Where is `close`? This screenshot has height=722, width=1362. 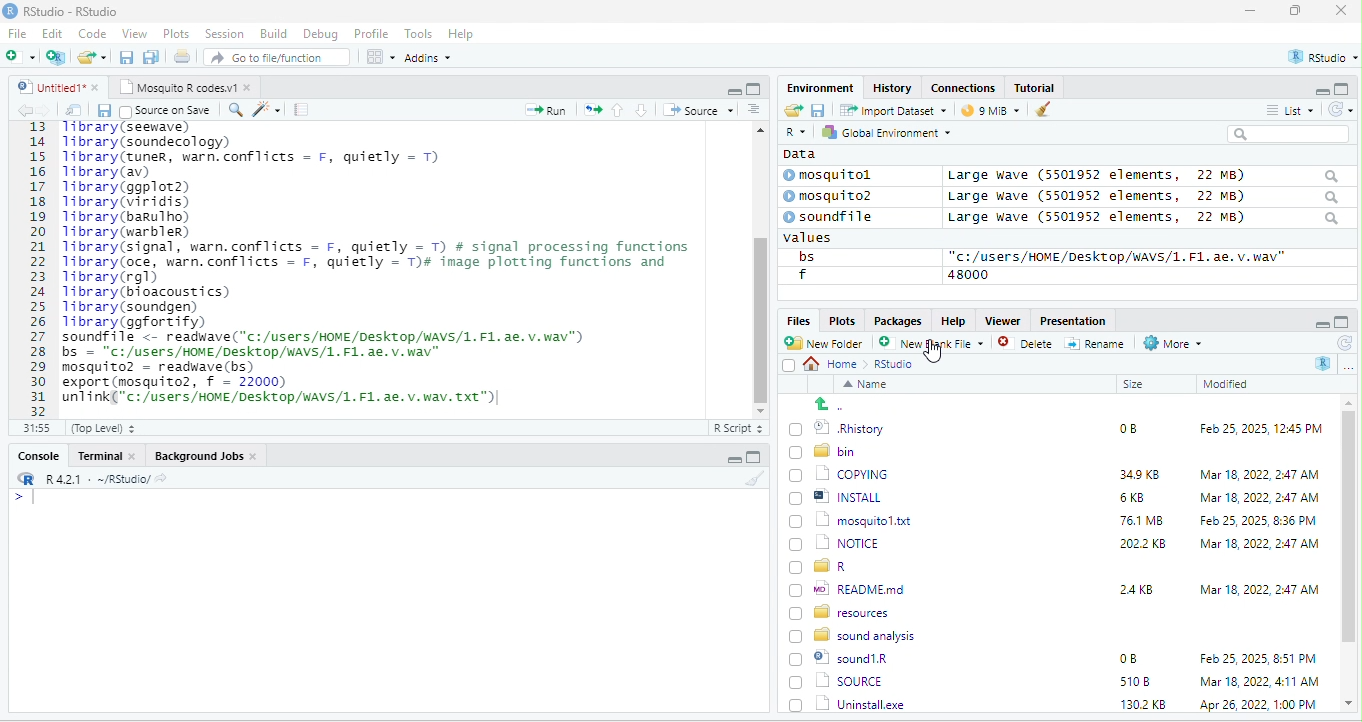
close is located at coordinates (1341, 12).